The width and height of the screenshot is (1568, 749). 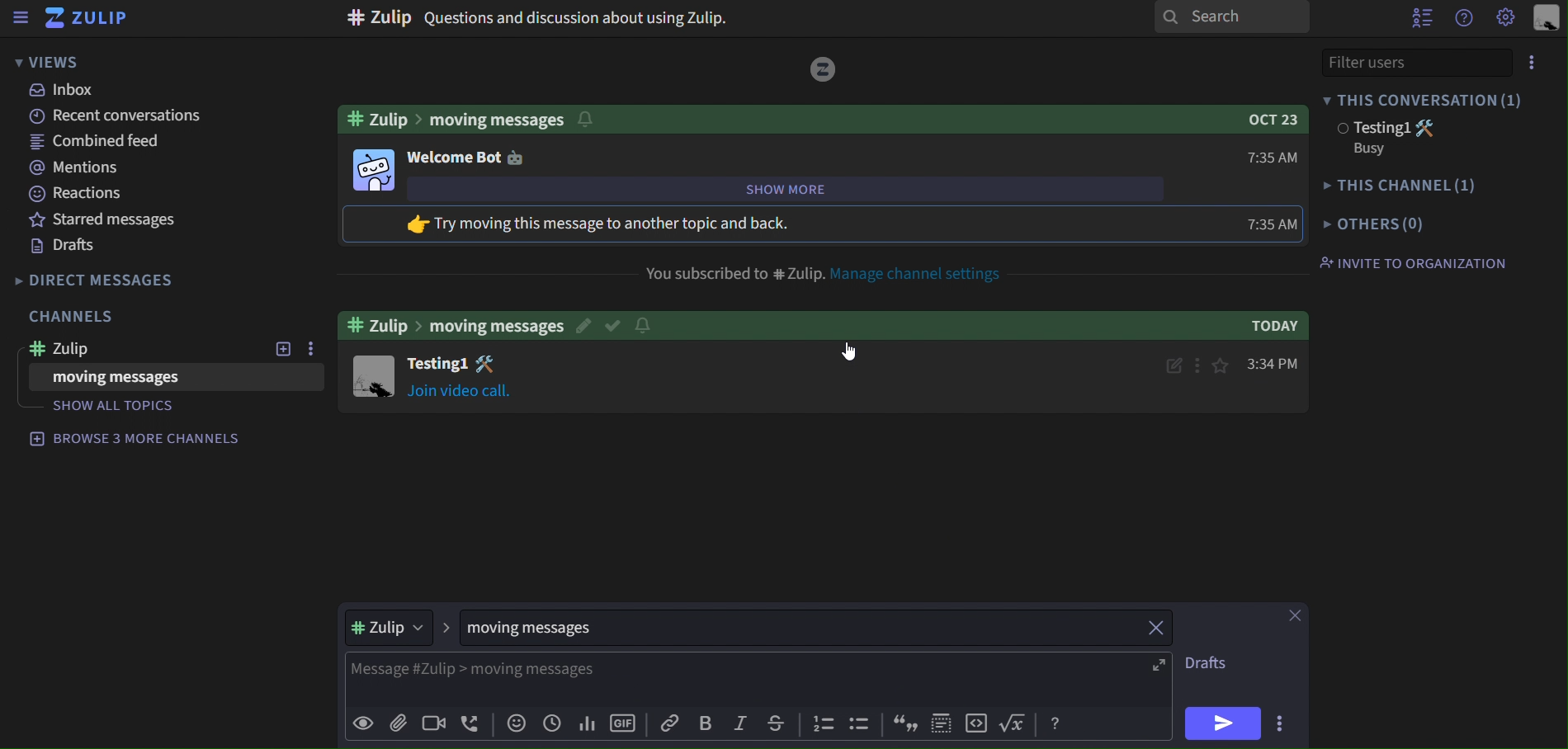 I want to click on , so click(x=654, y=323).